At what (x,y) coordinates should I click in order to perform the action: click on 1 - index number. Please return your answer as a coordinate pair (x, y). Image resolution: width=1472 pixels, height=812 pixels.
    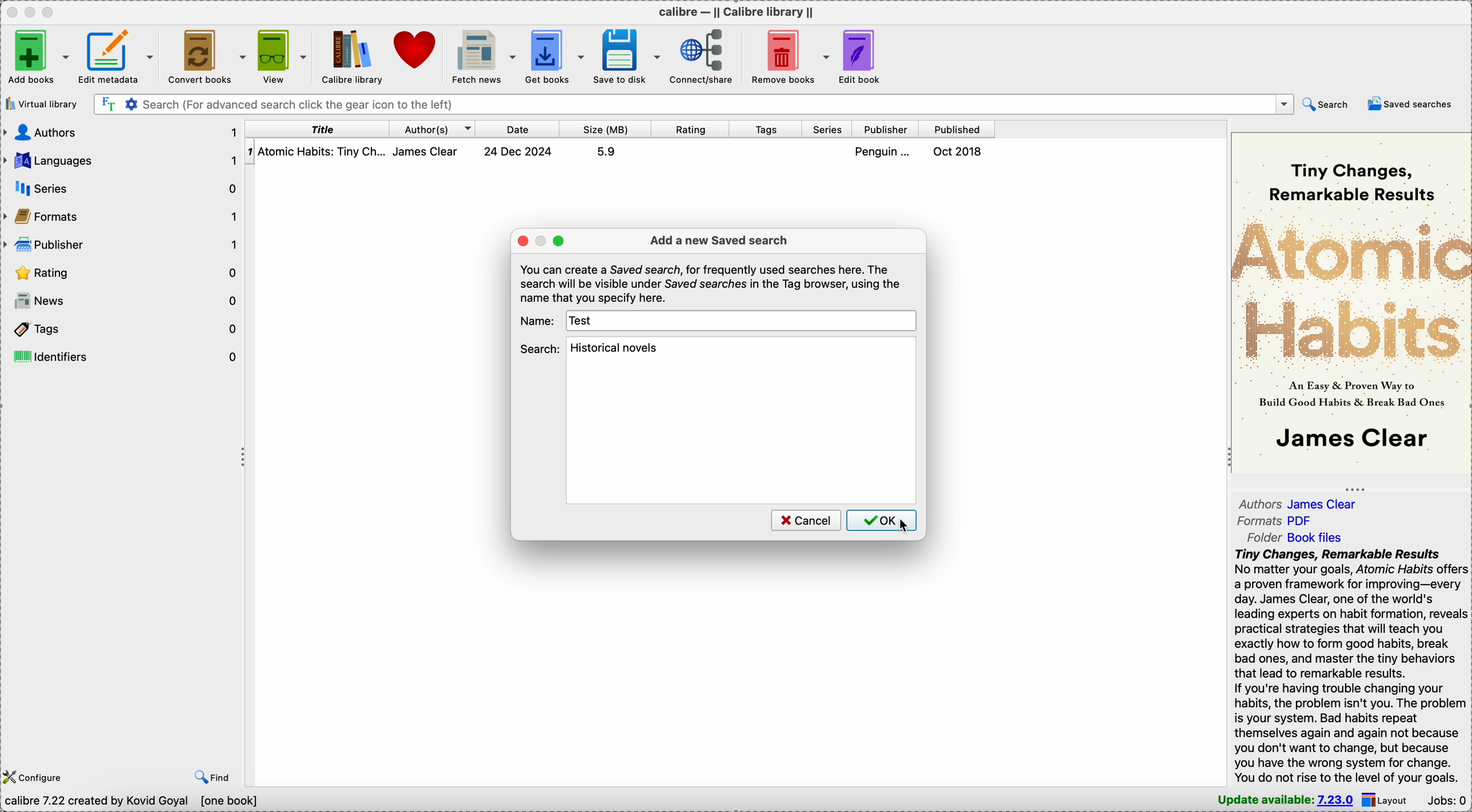
    Looking at the image, I should click on (250, 151).